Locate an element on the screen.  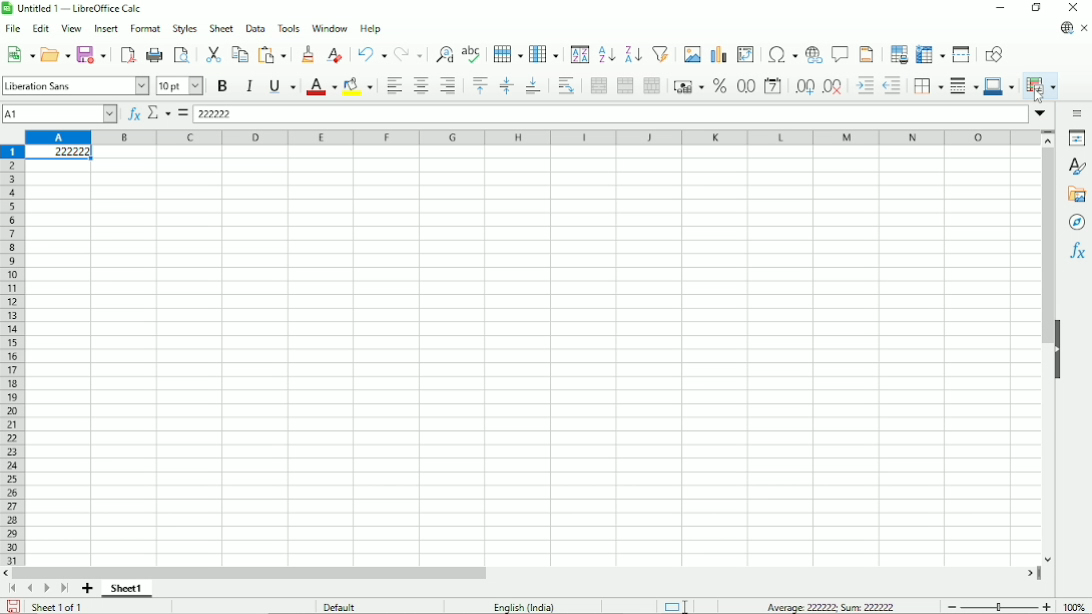
Auto filter is located at coordinates (661, 52).